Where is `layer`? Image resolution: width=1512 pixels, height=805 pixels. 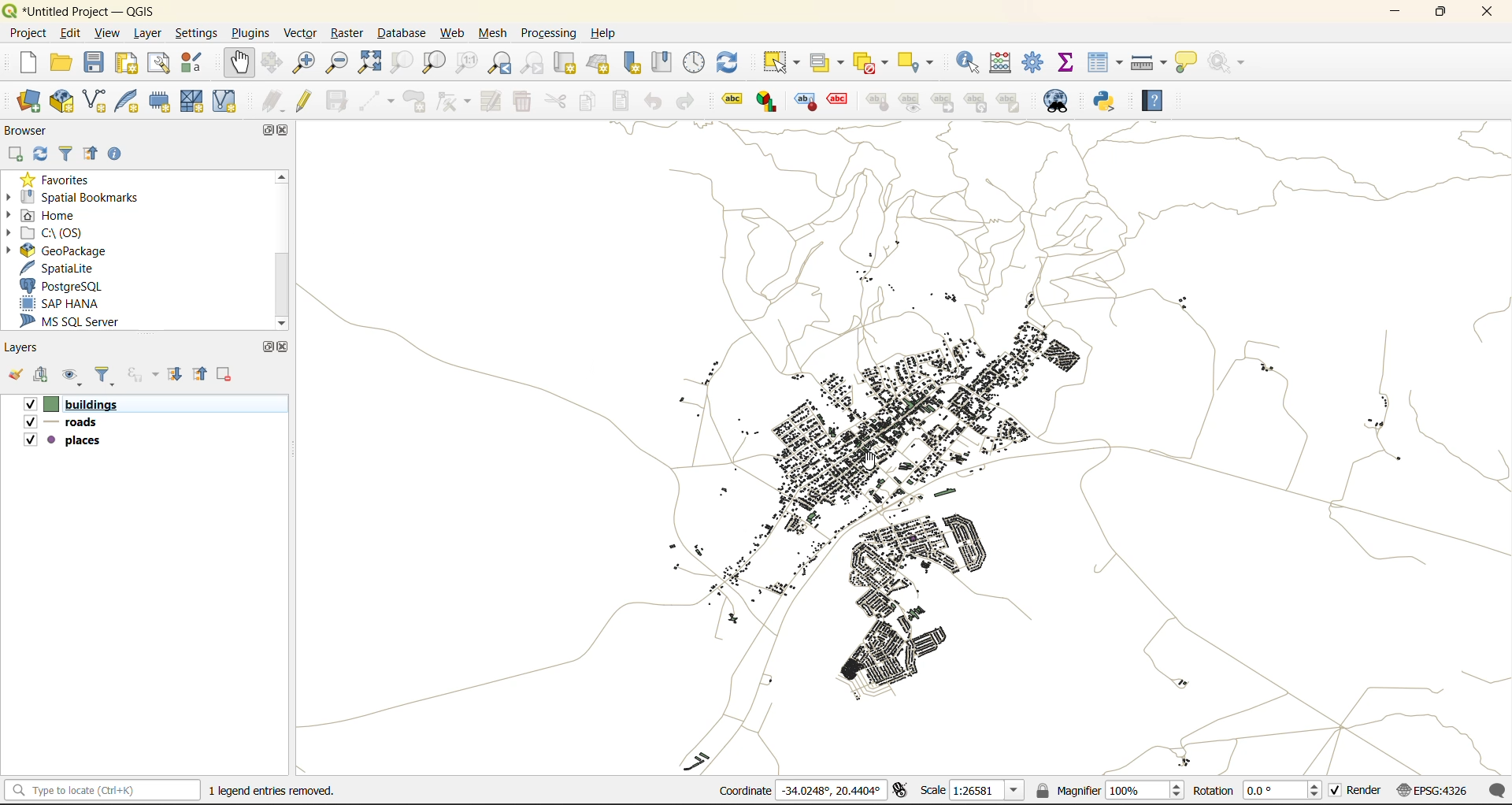 layer is located at coordinates (147, 35).